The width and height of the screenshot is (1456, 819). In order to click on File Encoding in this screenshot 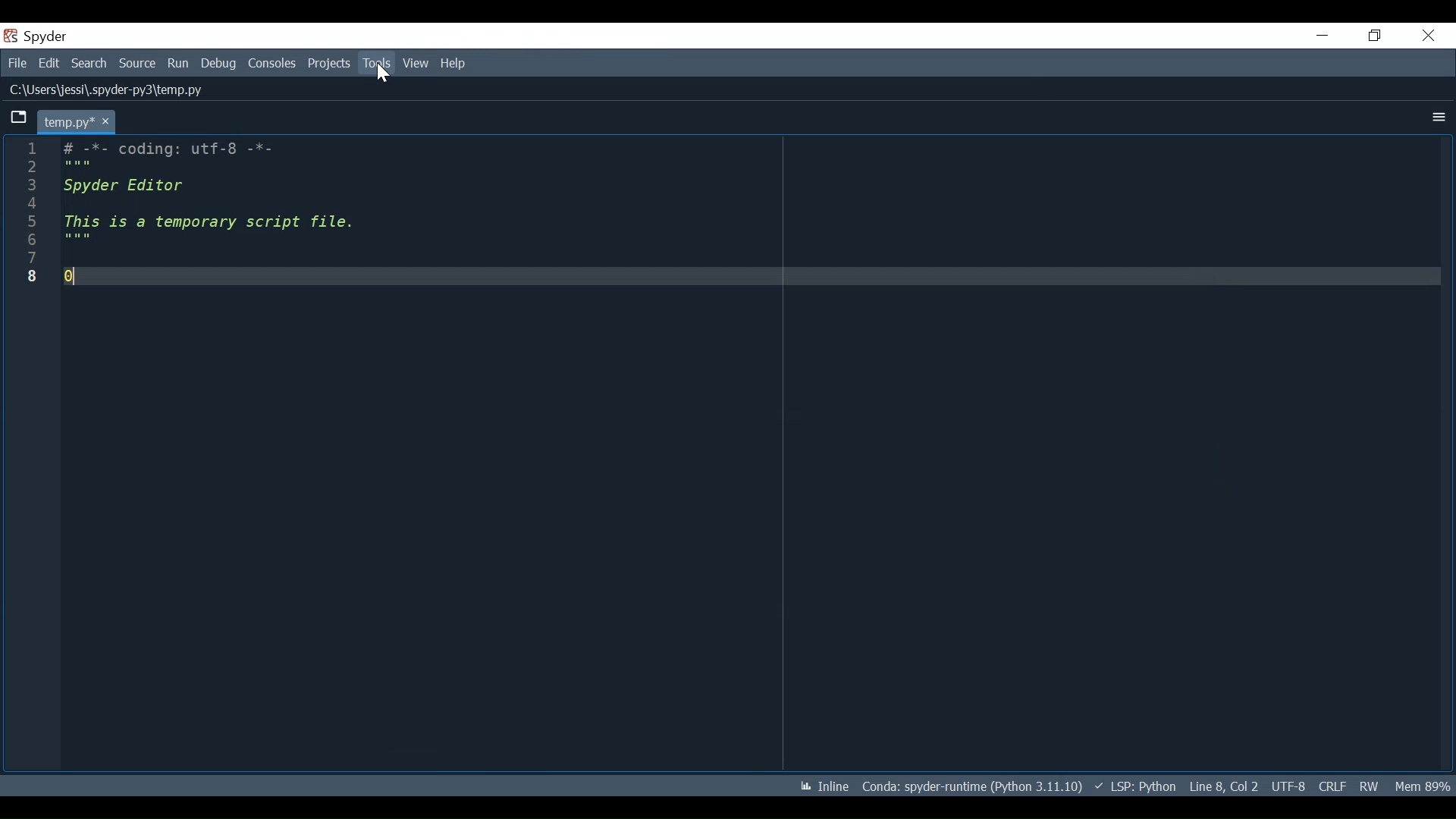, I will do `click(1287, 786)`.